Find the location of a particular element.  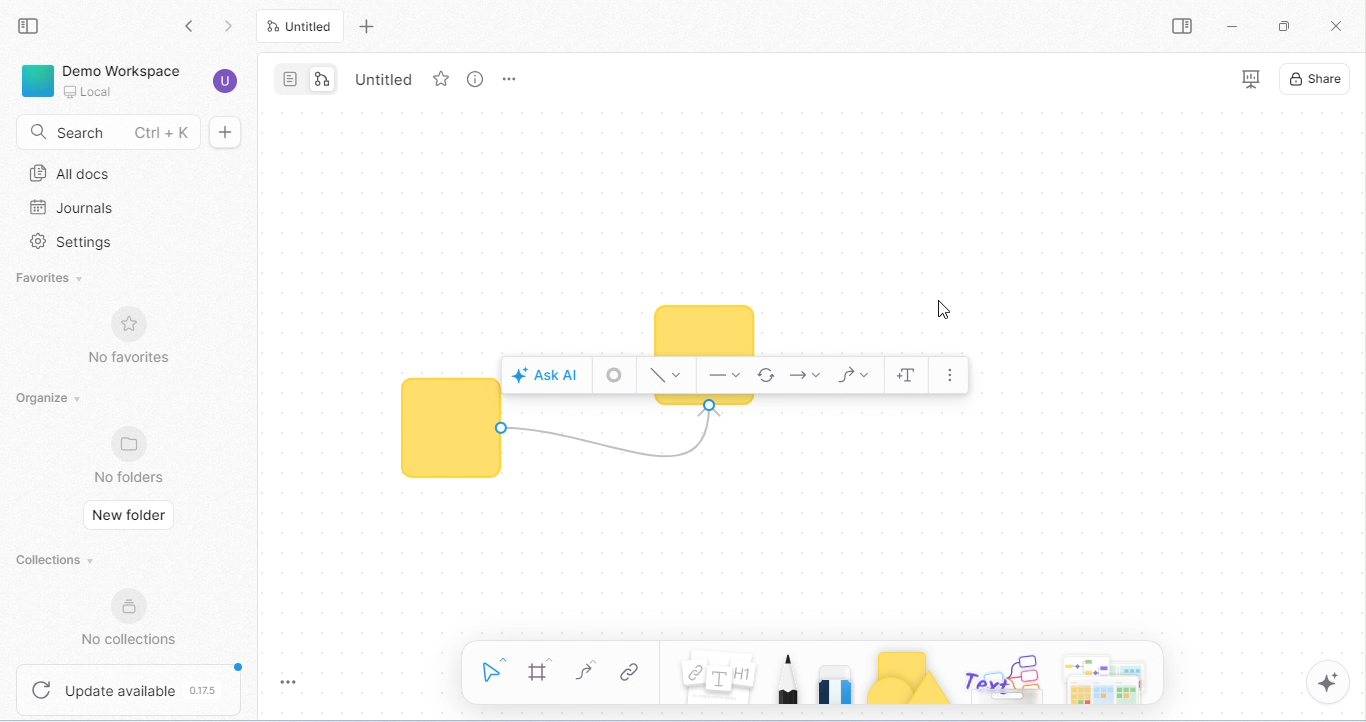

go previous is located at coordinates (232, 28).